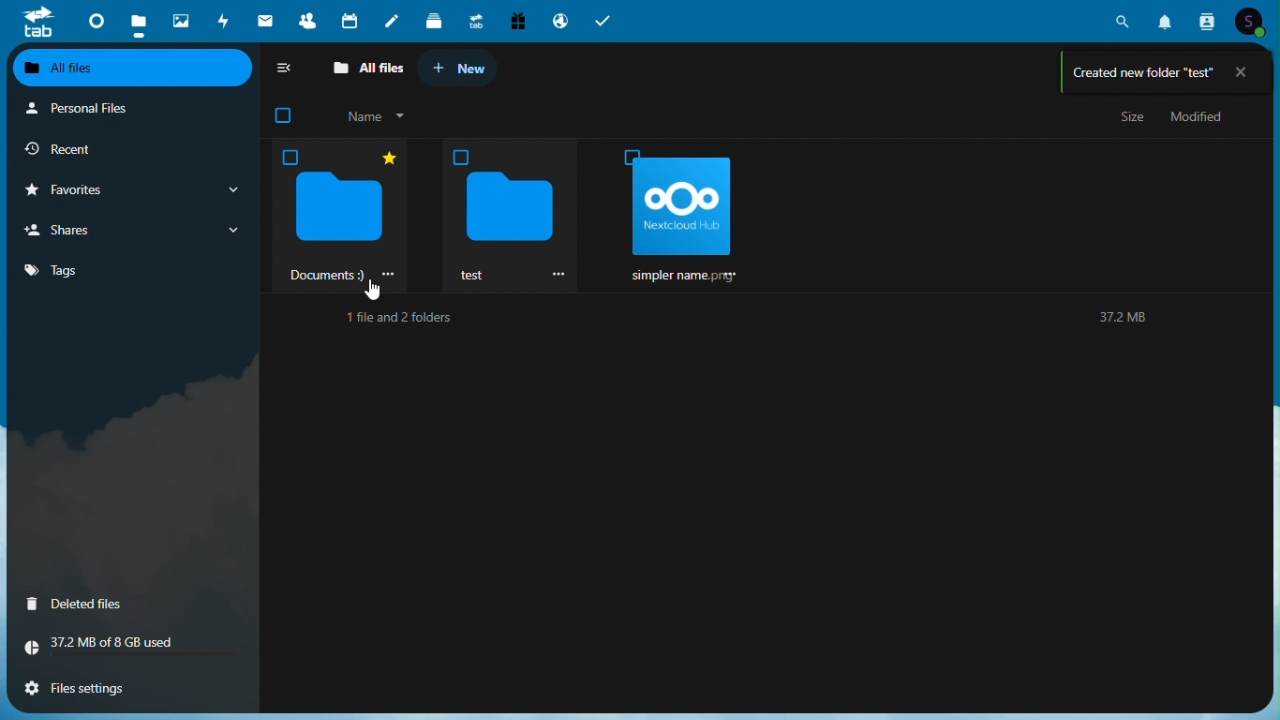  I want to click on Folder creation confirmation, so click(1164, 73).